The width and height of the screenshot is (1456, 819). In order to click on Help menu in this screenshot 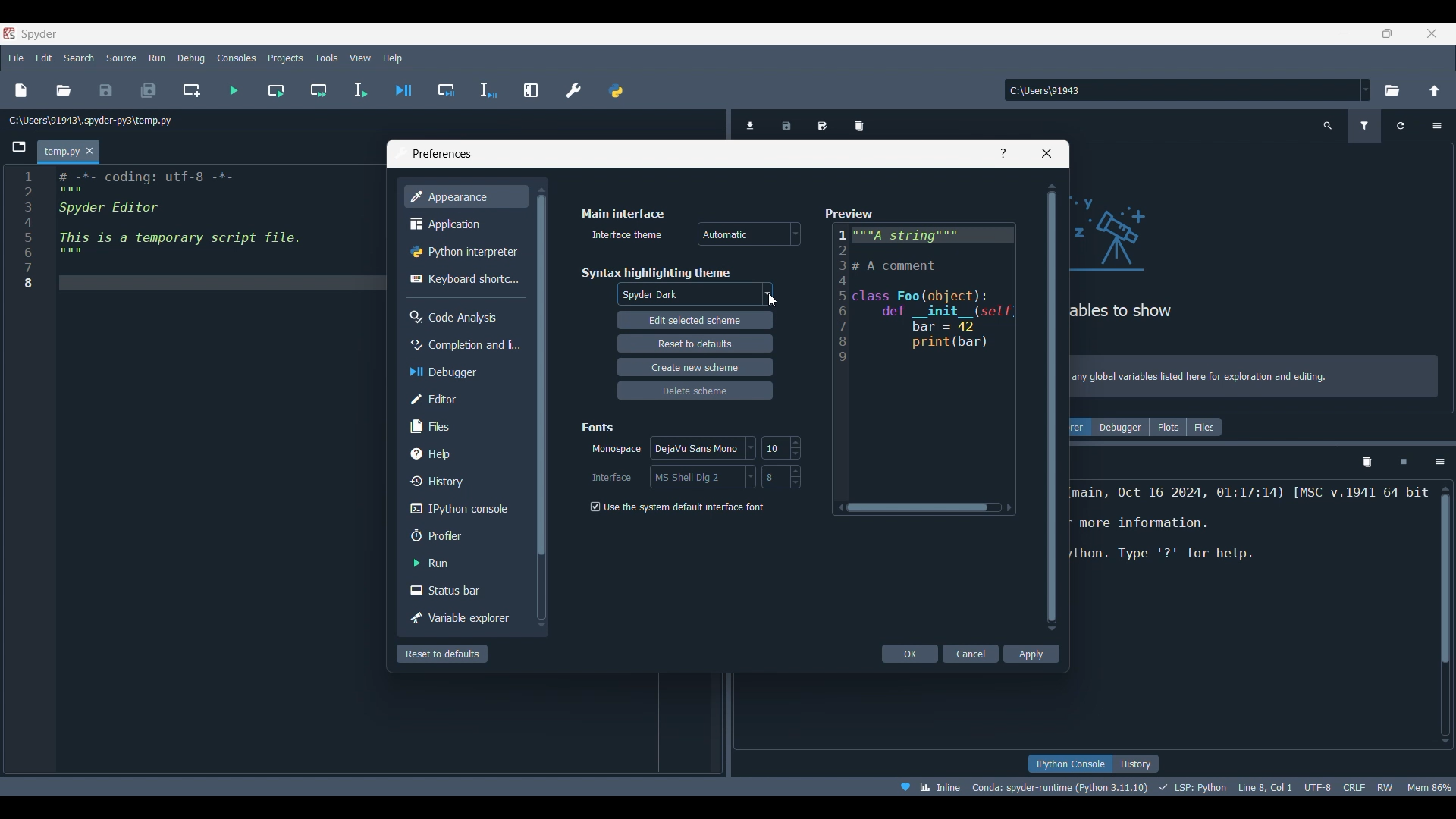, I will do `click(392, 58)`.